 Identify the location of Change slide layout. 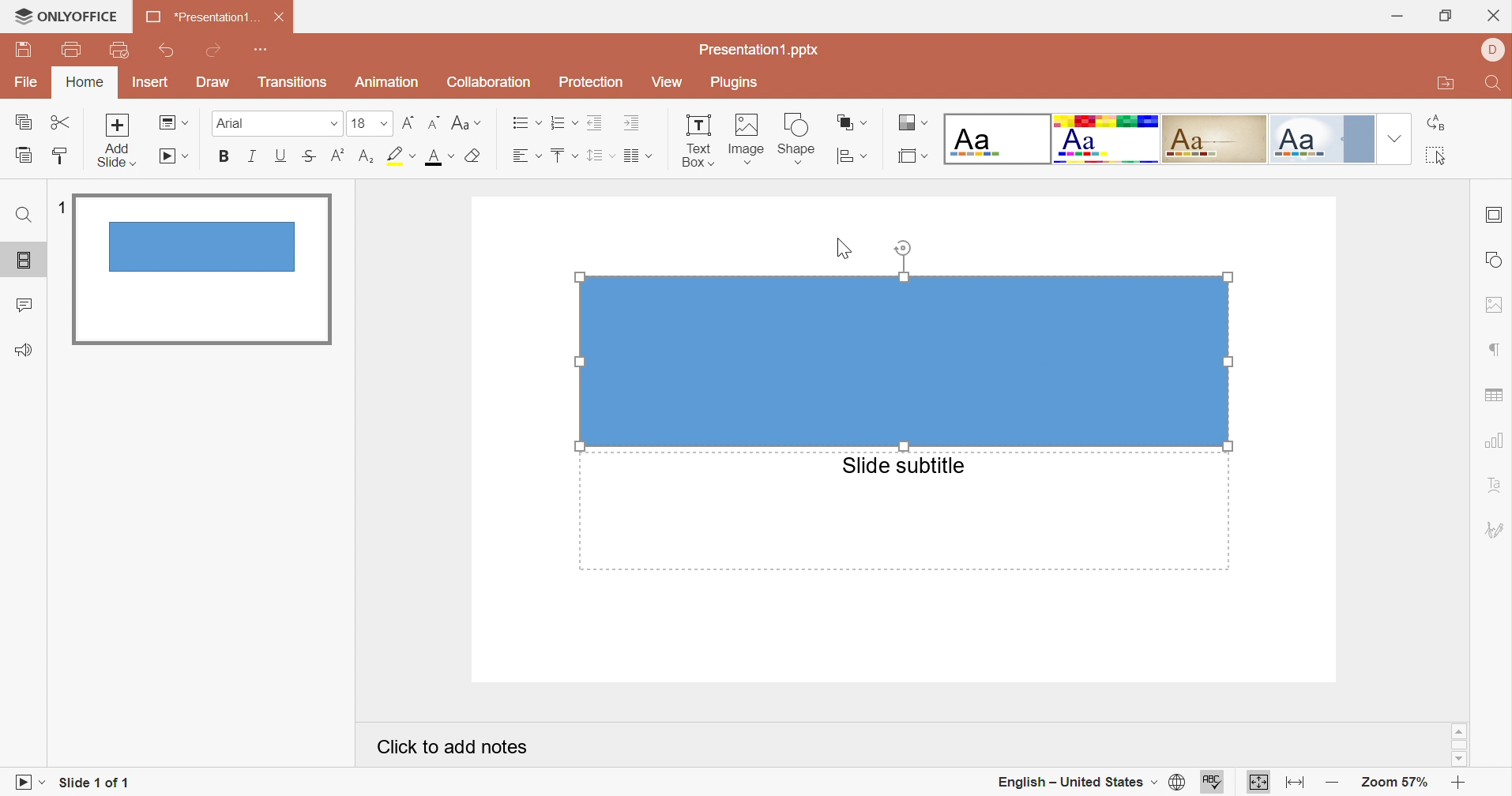
(174, 122).